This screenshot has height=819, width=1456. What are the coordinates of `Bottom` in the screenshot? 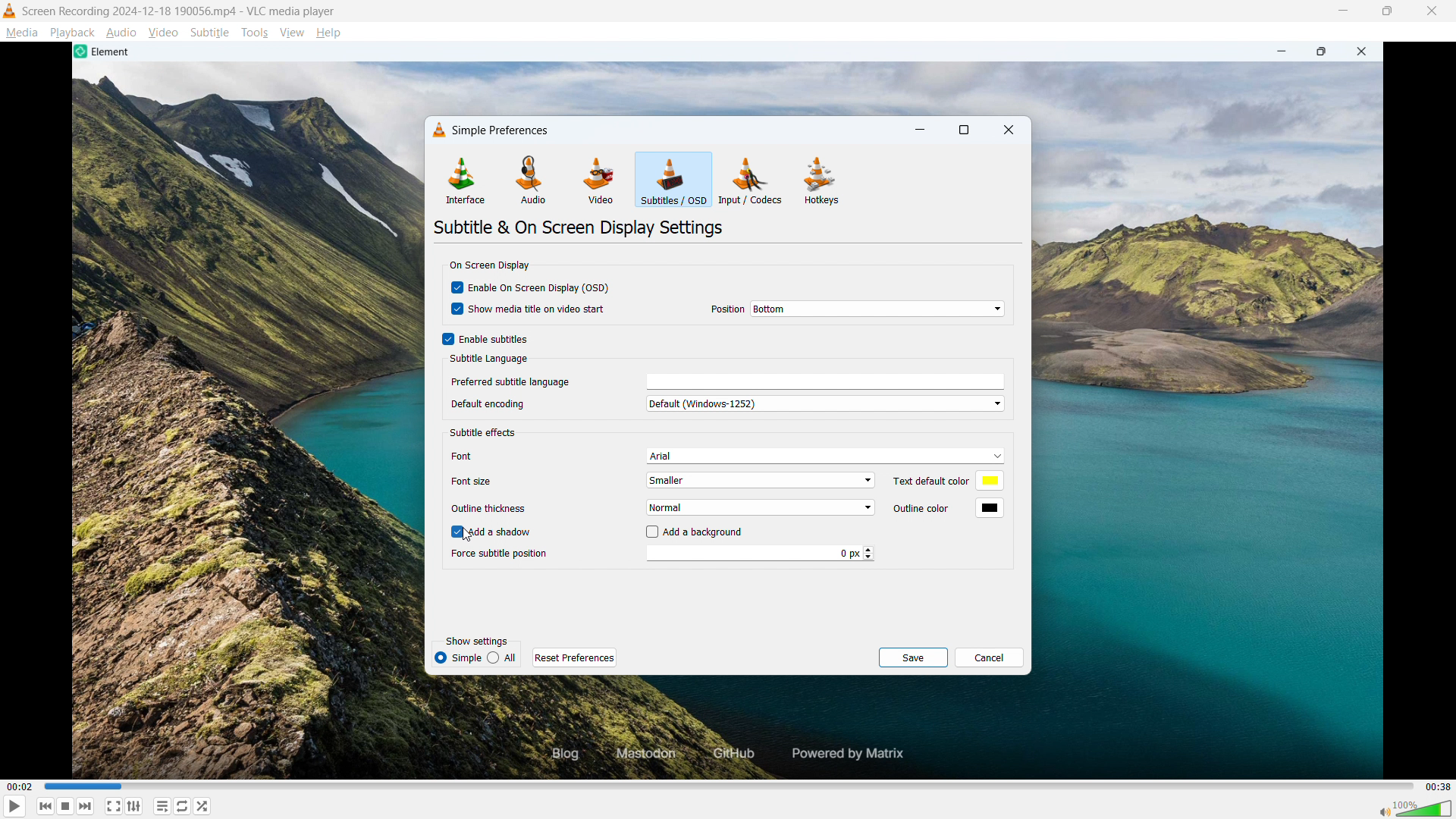 It's located at (879, 309).